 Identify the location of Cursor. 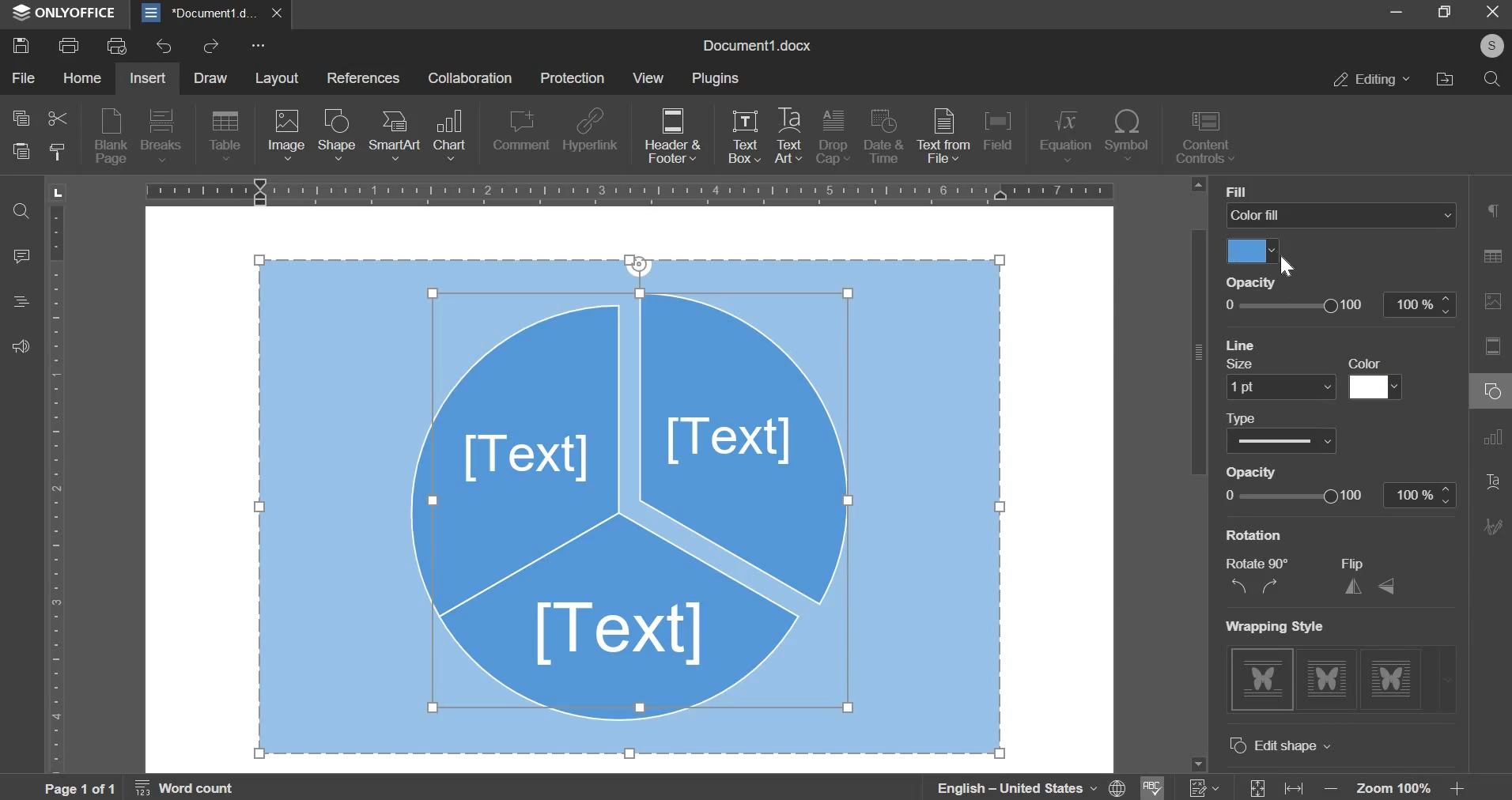
(1272, 267).